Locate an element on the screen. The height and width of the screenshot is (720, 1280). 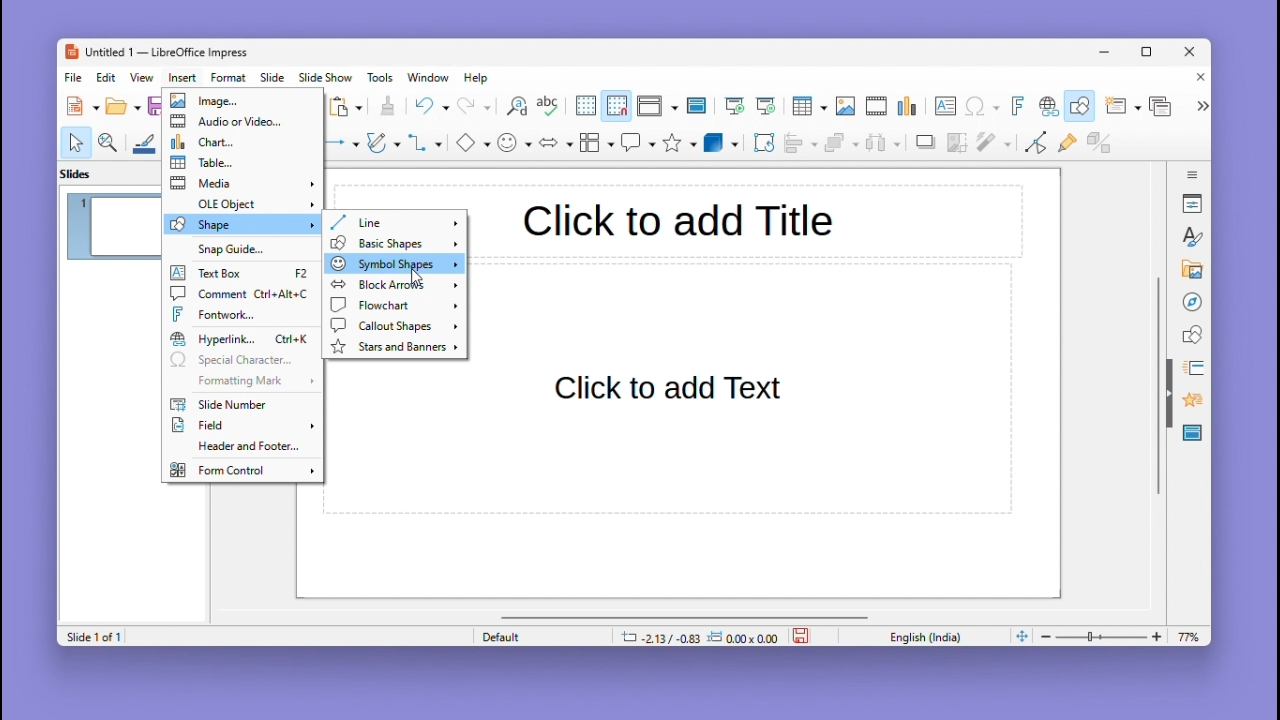
Effects is located at coordinates (1190, 403).